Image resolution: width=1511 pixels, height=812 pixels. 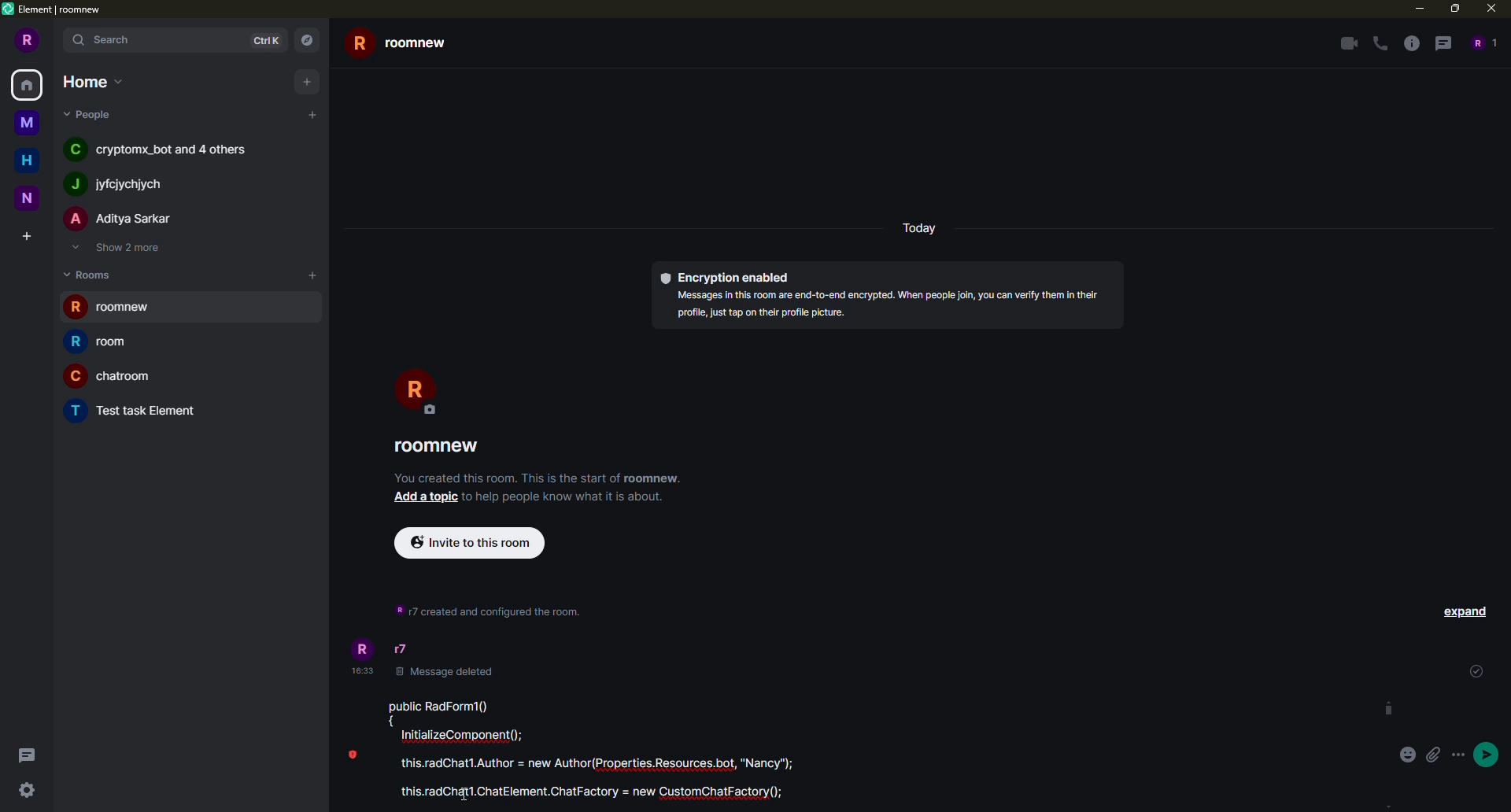 I want to click on people, so click(x=124, y=185).